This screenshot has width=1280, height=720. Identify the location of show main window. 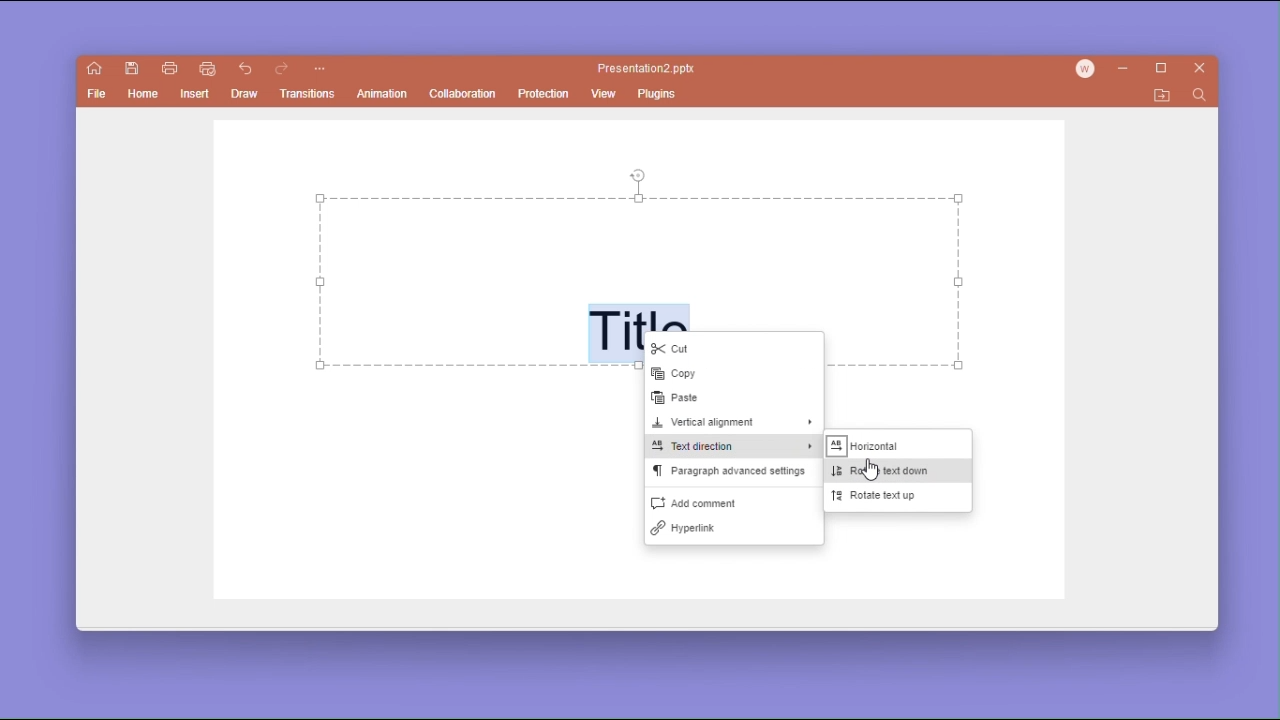
(95, 69).